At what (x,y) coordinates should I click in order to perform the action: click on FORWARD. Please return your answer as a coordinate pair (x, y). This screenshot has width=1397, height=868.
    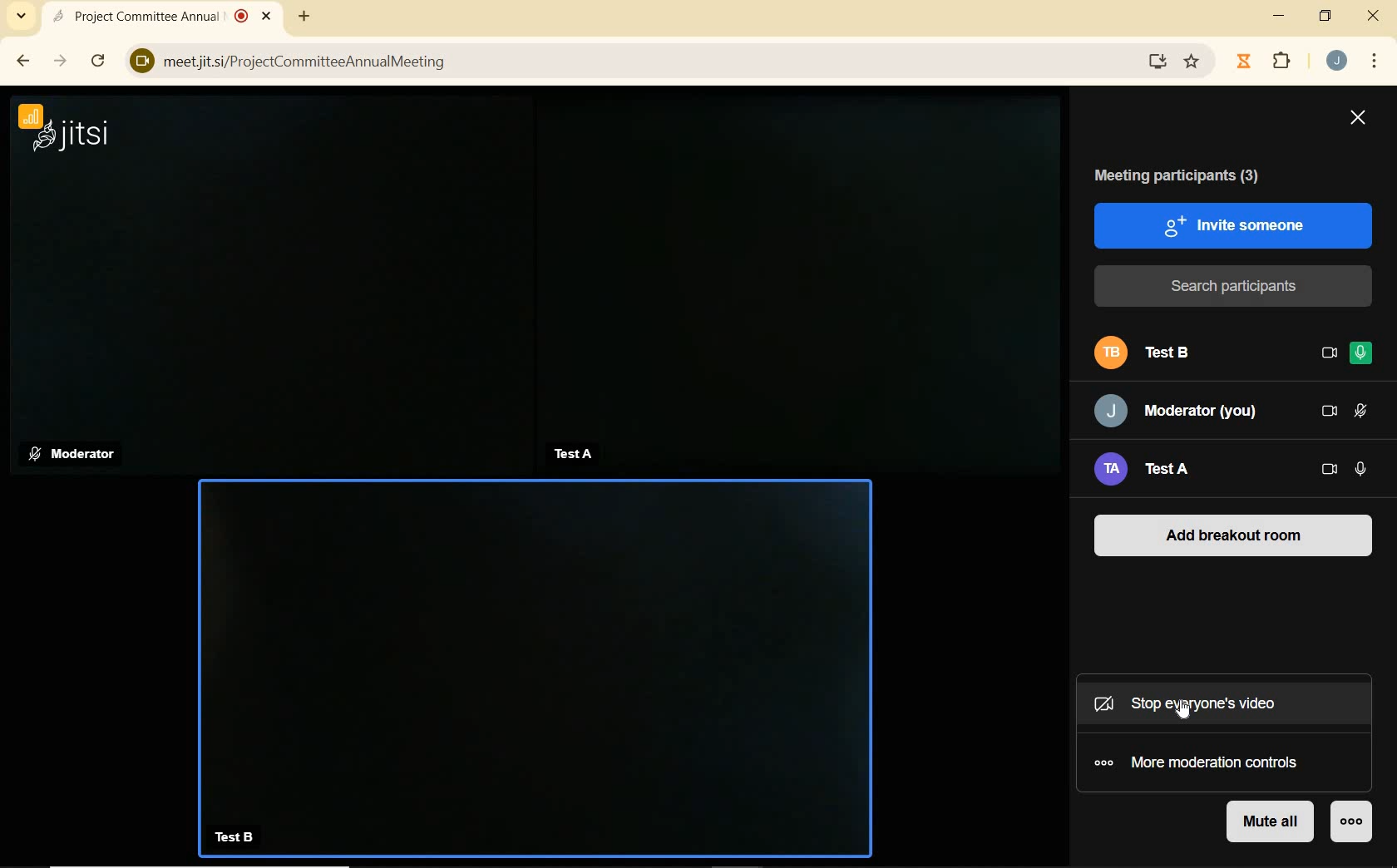
    Looking at the image, I should click on (62, 62).